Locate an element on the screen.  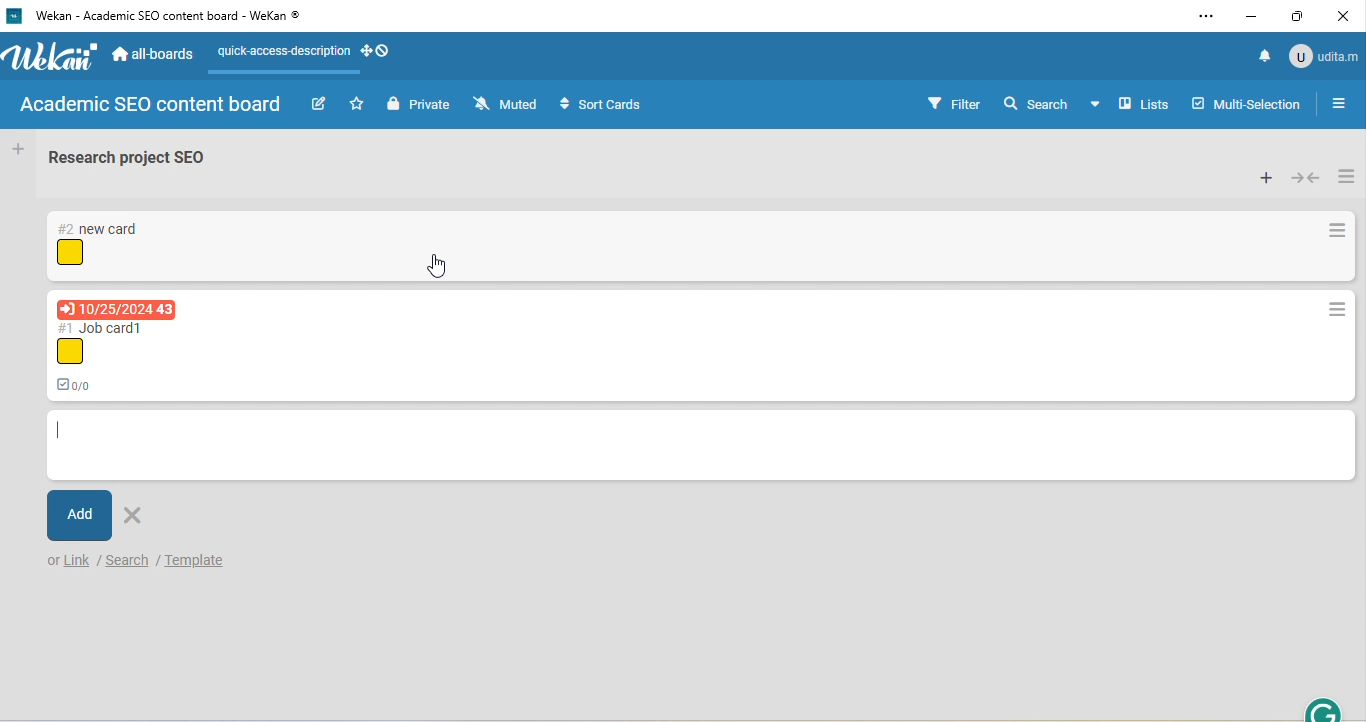
list name: research project SEO is located at coordinates (139, 162).